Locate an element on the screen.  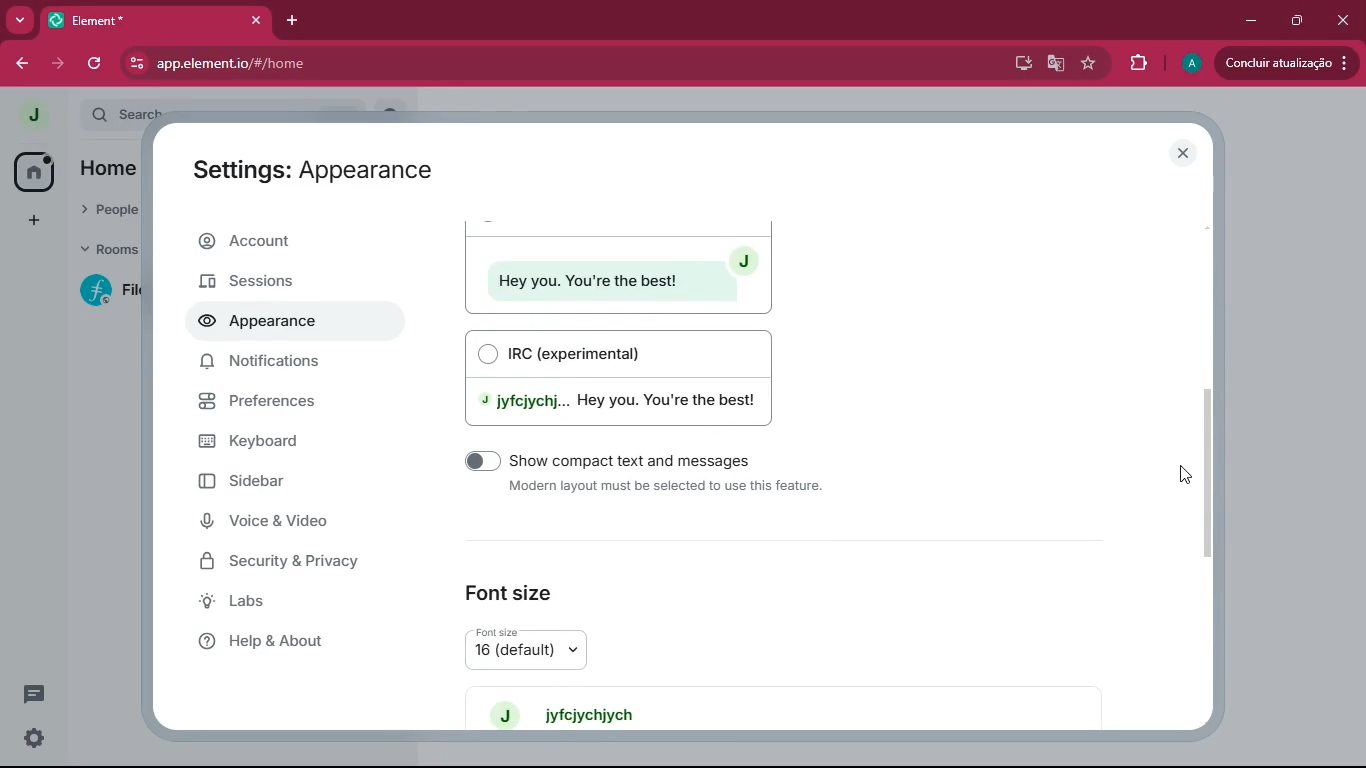
close is located at coordinates (255, 21).